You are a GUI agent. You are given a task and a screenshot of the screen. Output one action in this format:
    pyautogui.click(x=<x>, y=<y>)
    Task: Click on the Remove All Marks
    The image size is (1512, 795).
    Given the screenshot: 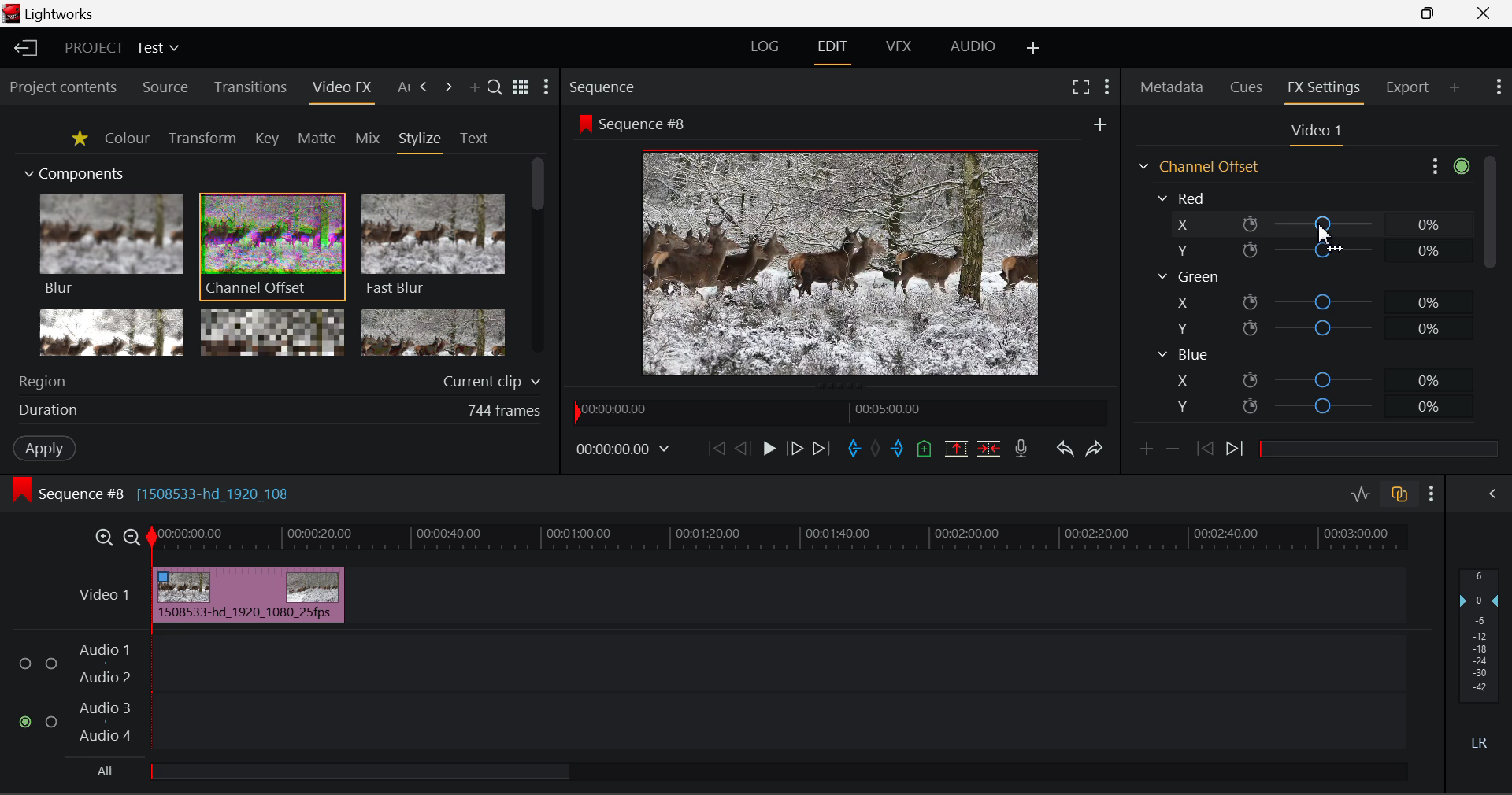 What is the action you would take?
    pyautogui.click(x=875, y=449)
    